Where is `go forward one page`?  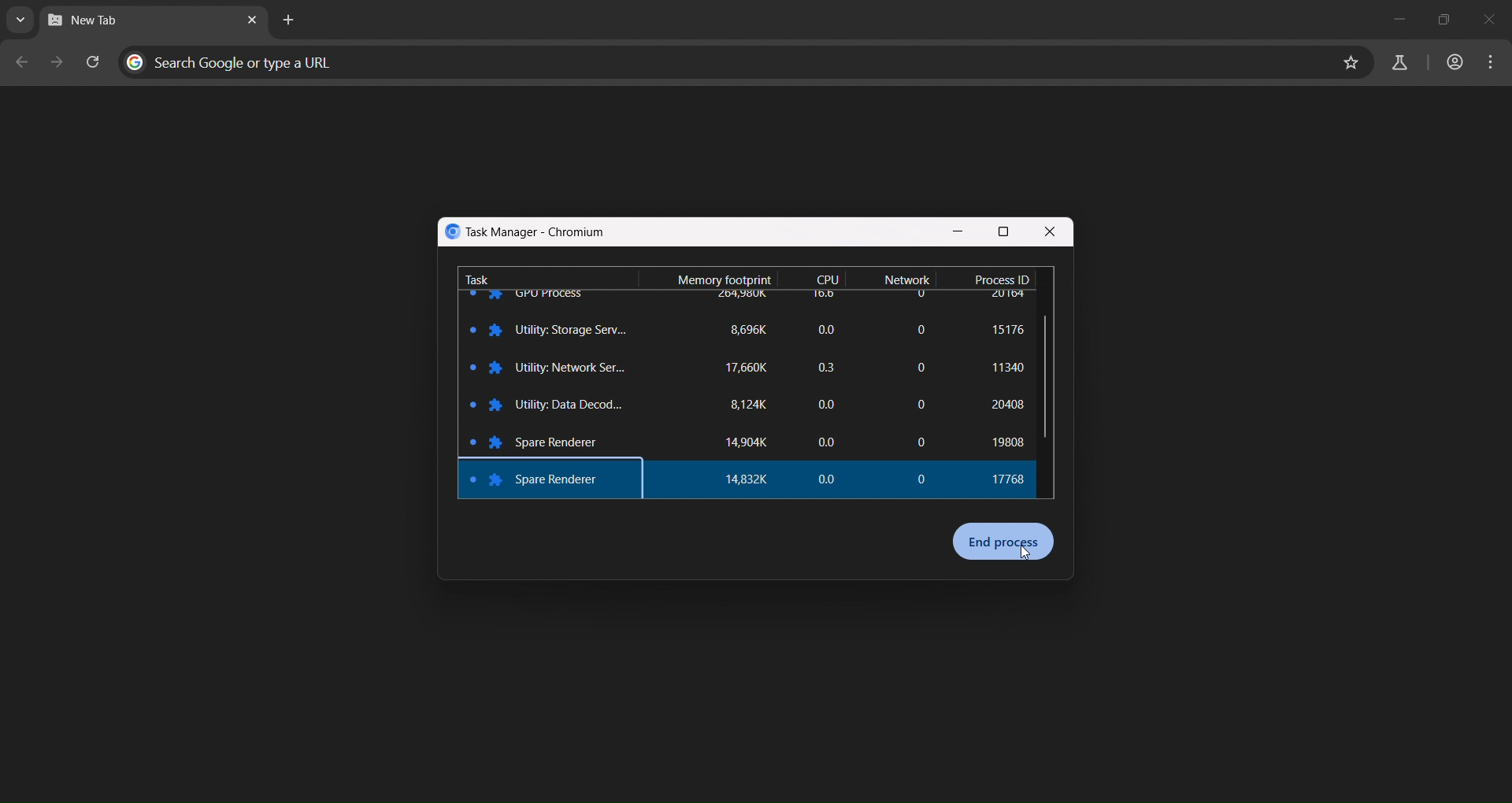 go forward one page is located at coordinates (57, 63).